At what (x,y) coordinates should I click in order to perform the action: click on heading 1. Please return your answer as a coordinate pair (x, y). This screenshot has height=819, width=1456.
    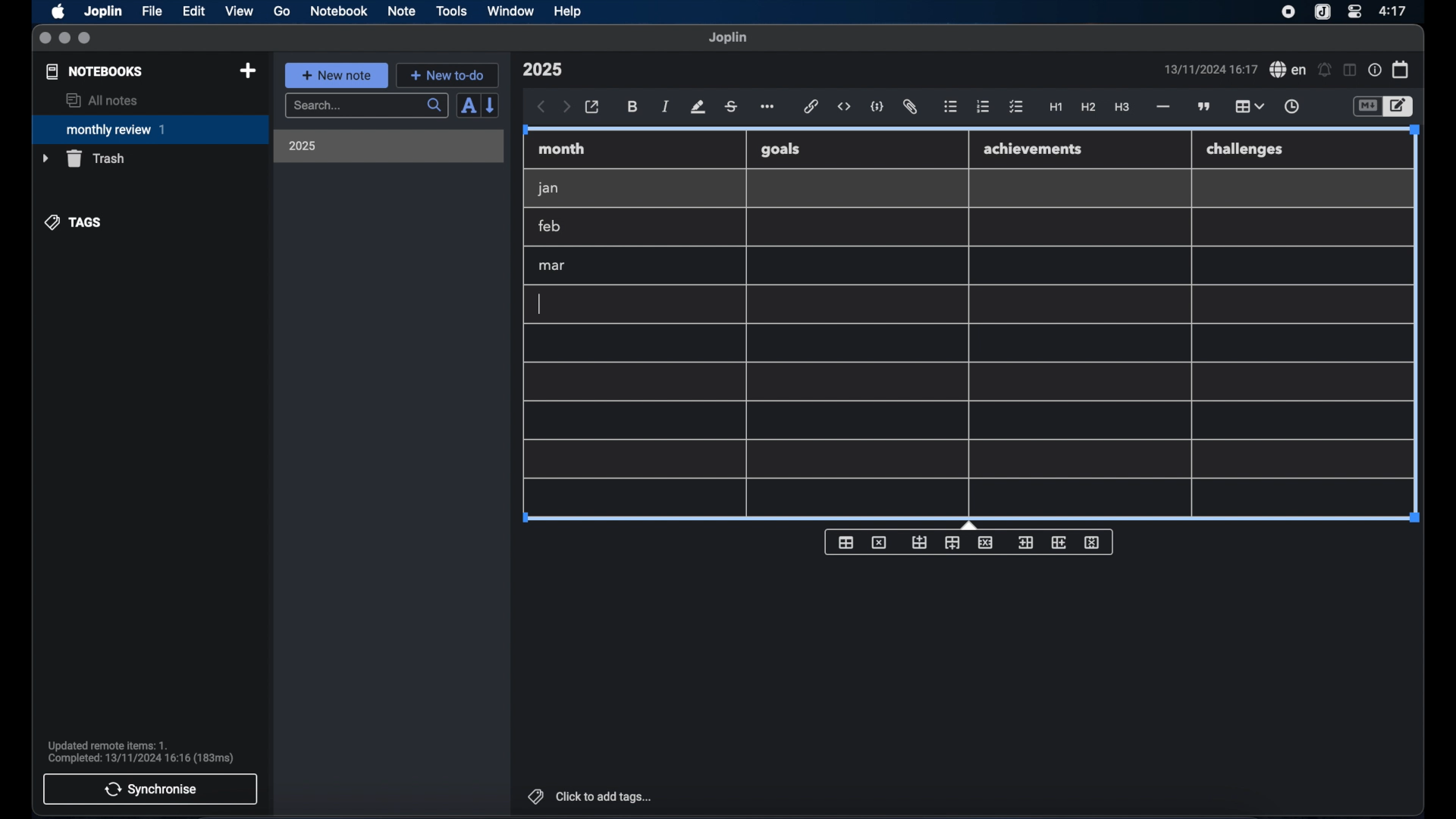
    Looking at the image, I should click on (1056, 108).